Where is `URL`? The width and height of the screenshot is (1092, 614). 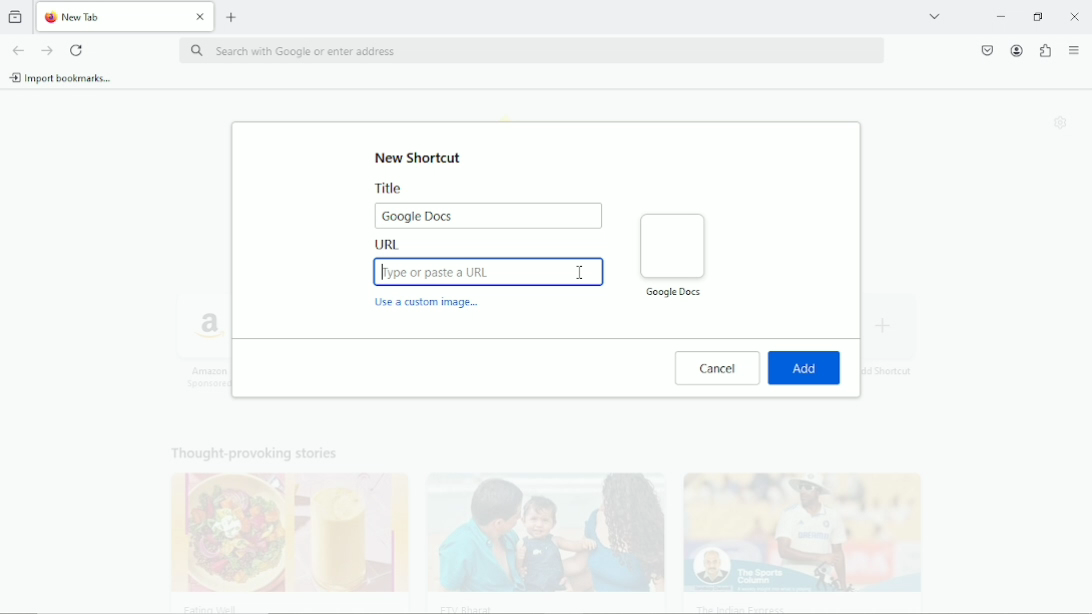 URL is located at coordinates (489, 264).